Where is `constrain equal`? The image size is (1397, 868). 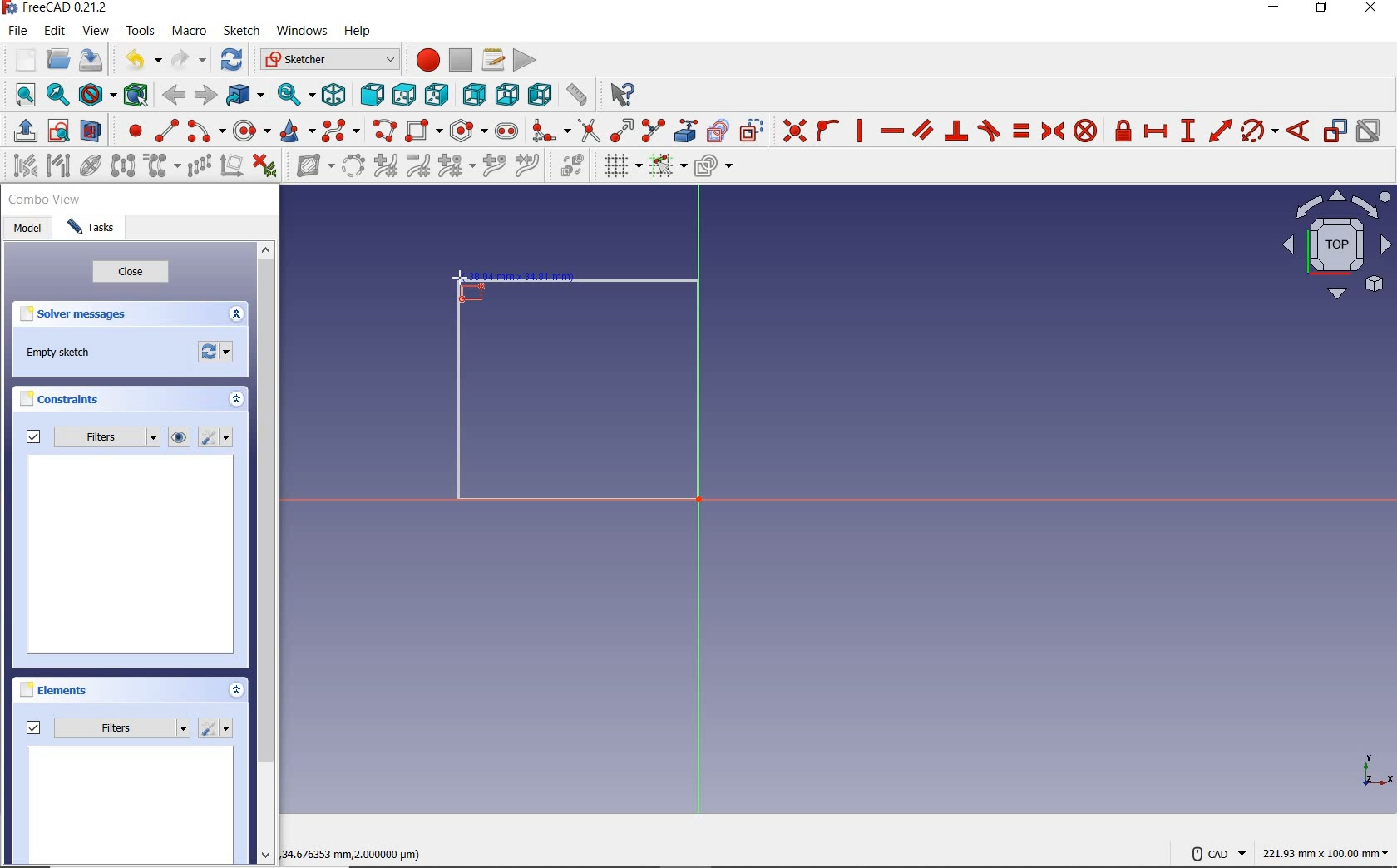 constrain equal is located at coordinates (1020, 131).